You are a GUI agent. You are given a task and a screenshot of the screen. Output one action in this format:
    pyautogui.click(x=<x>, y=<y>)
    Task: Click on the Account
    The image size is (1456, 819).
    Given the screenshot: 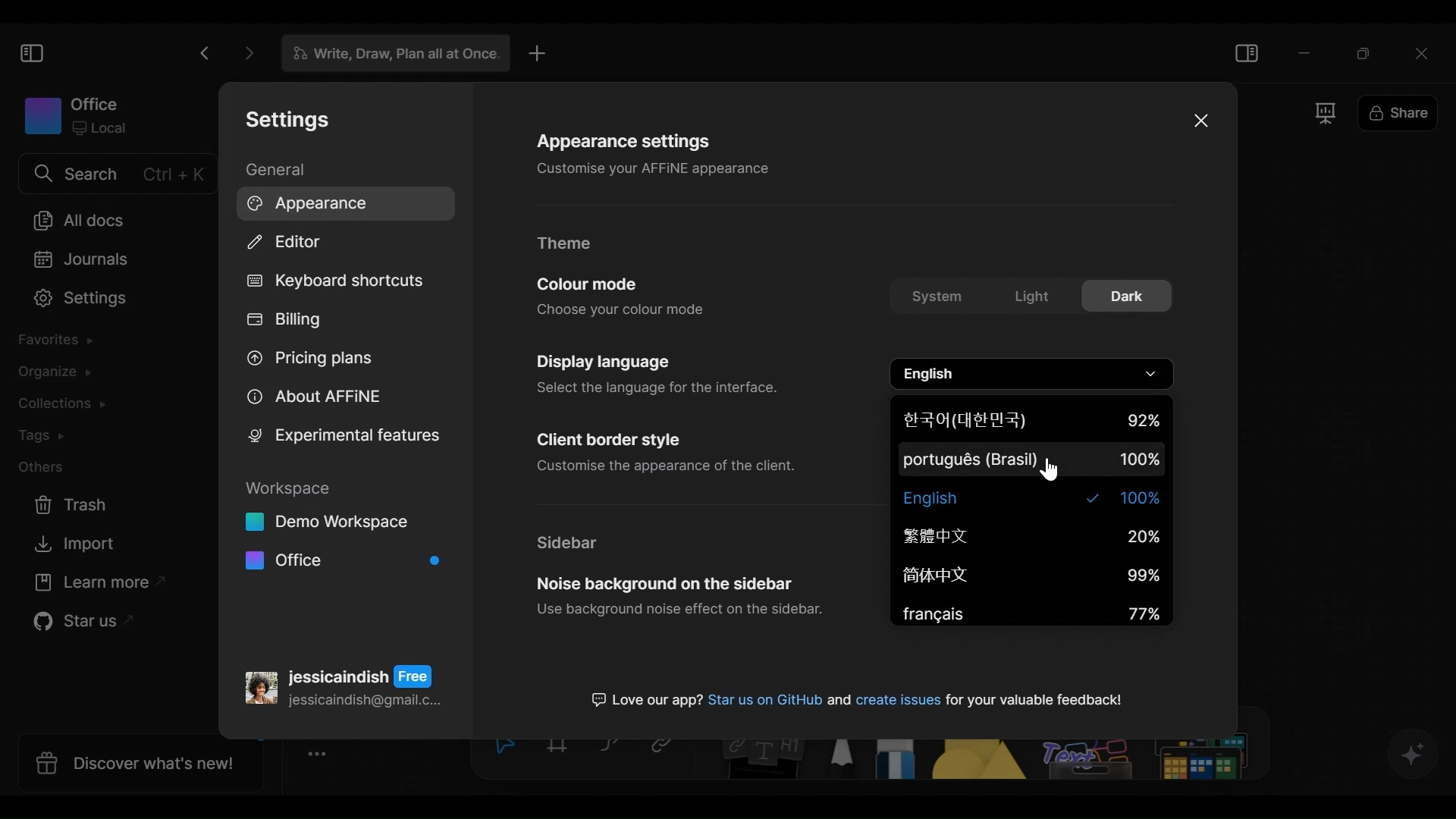 What is the action you would take?
    pyautogui.click(x=344, y=682)
    